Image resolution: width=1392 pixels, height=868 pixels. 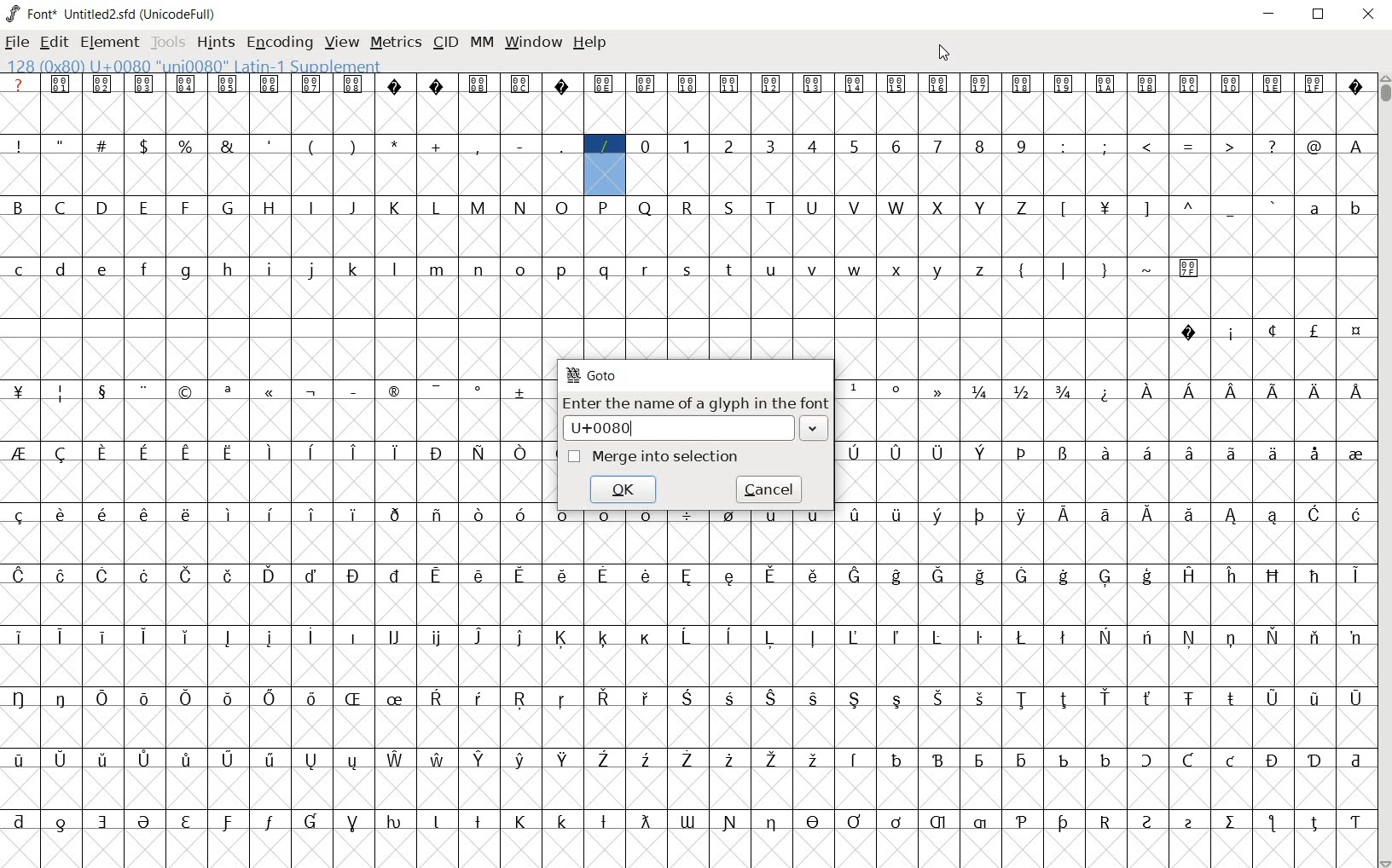 What do you see at coordinates (102, 453) in the screenshot?
I see `glyph` at bounding box center [102, 453].